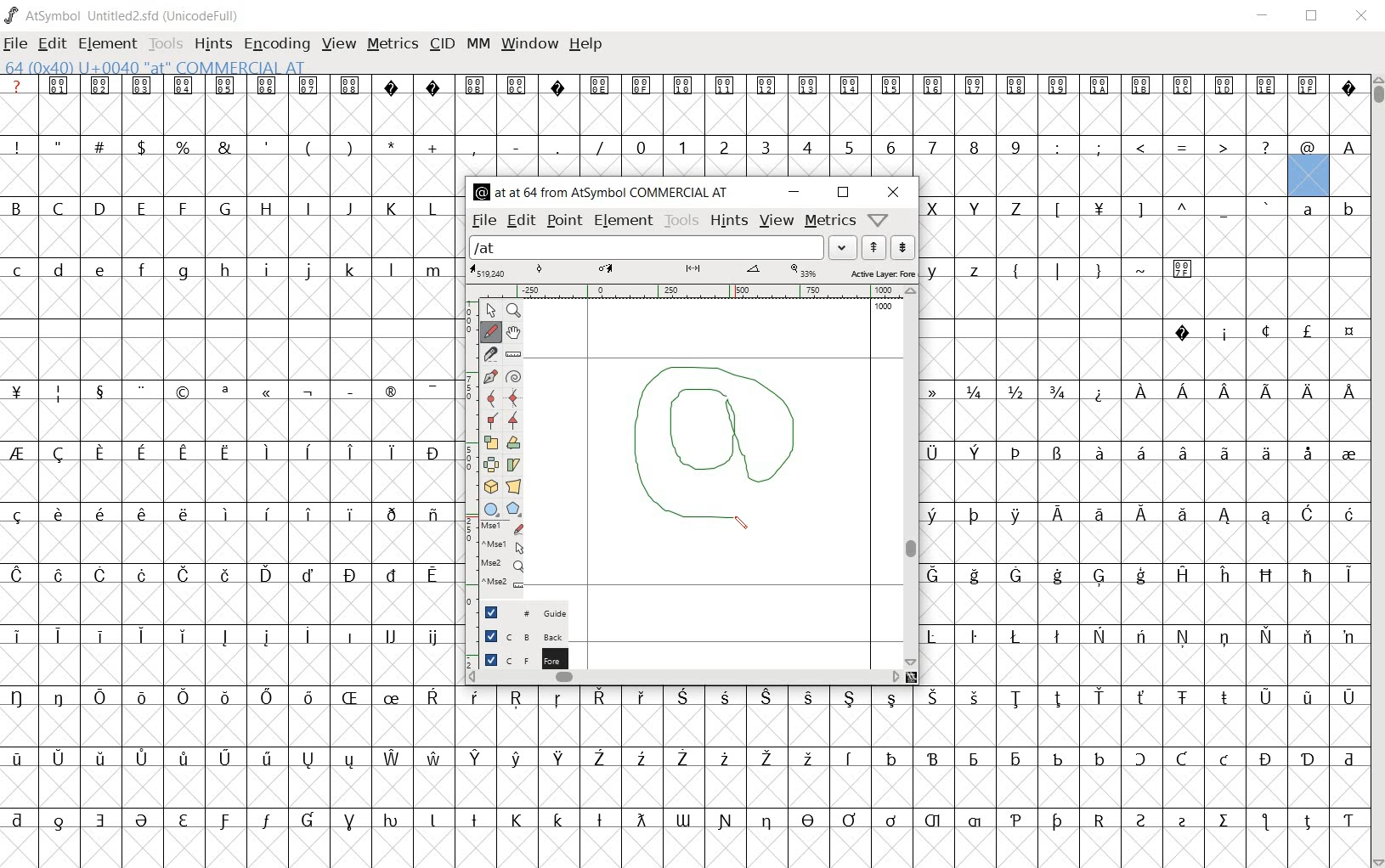 The image size is (1385, 868). What do you see at coordinates (392, 44) in the screenshot?
I see `METRICS` at bounding box center [392, 44].